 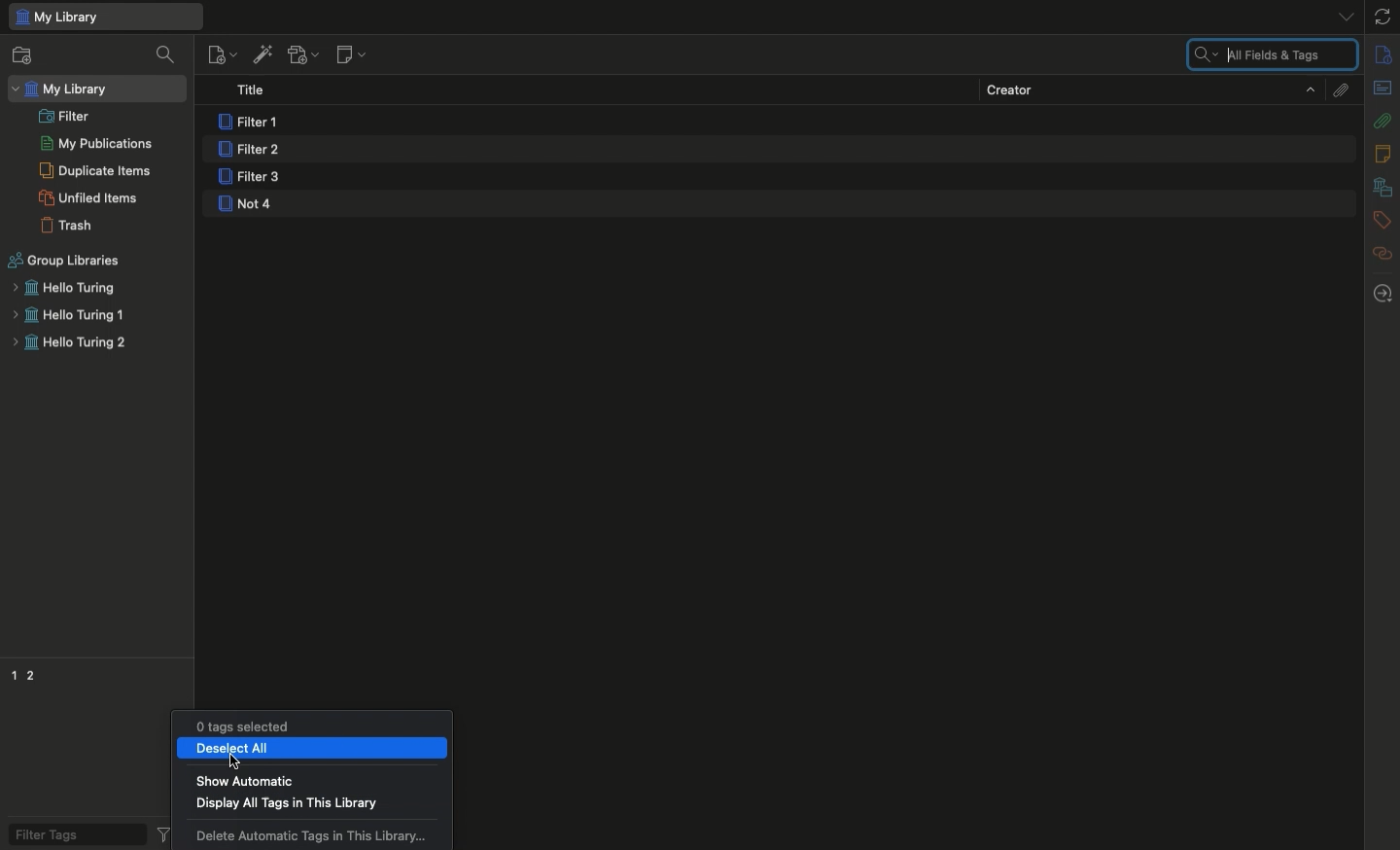 What do you see at coordinates (69, 345) in the screenshot?
I see `Hello turing 2` at bounding box center [69, 345].